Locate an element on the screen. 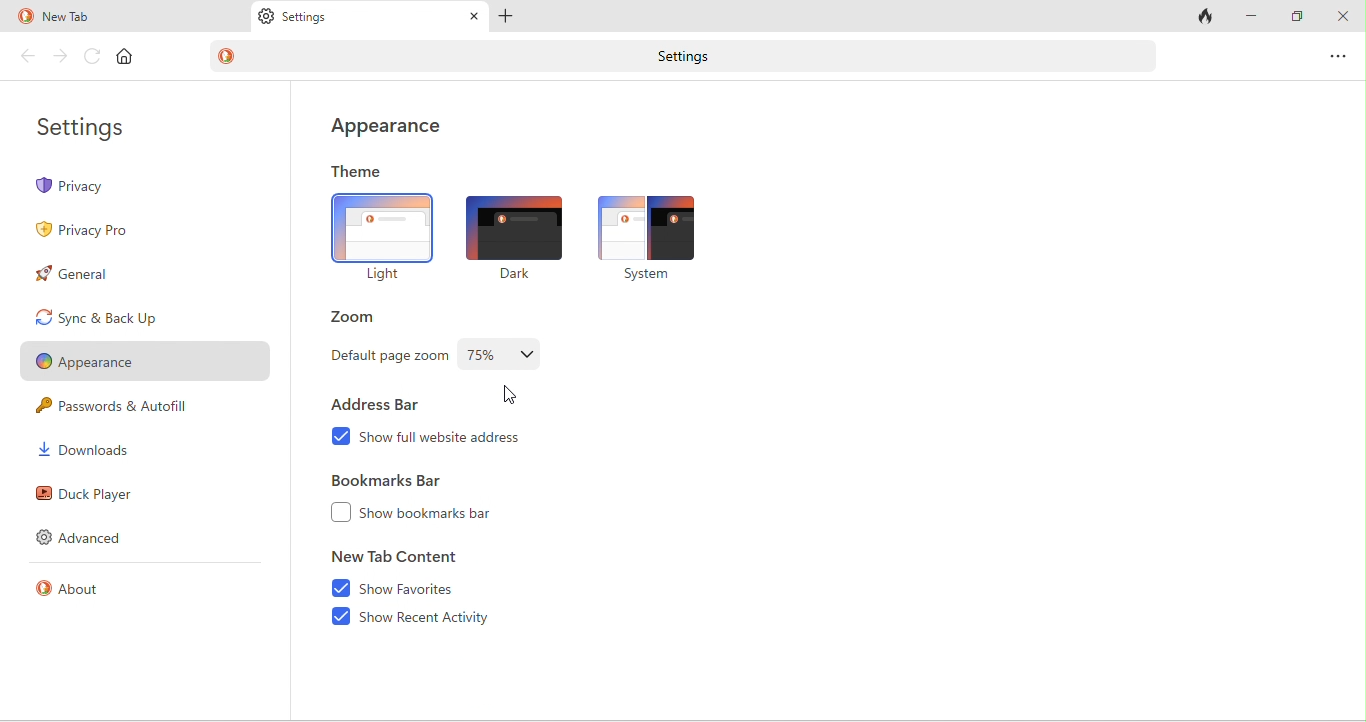 Image resolution: width=1366 pixels, height=722 pixels. theme is located at coordinates (359, 173).